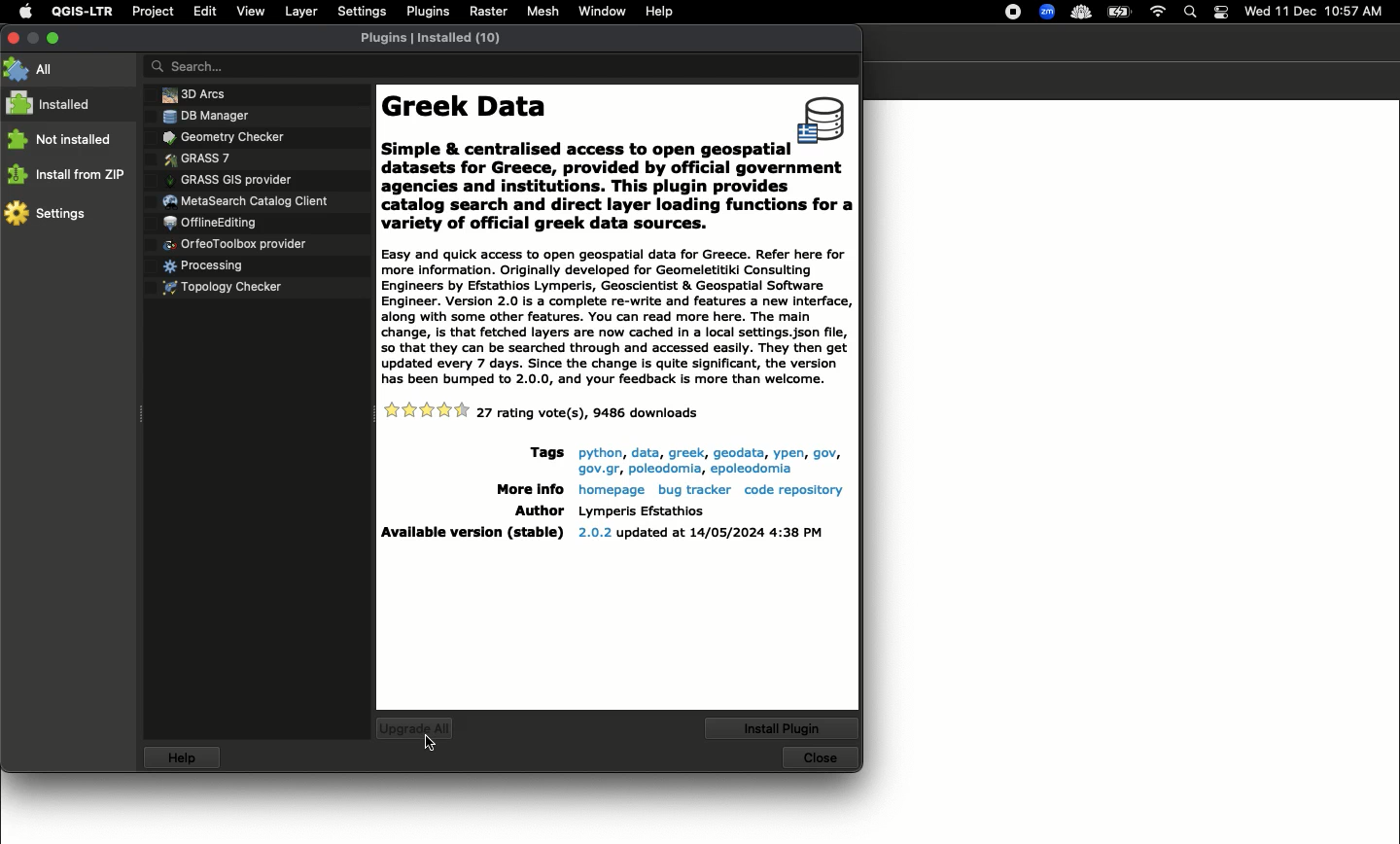  I want to click on link, so click(665, 469).